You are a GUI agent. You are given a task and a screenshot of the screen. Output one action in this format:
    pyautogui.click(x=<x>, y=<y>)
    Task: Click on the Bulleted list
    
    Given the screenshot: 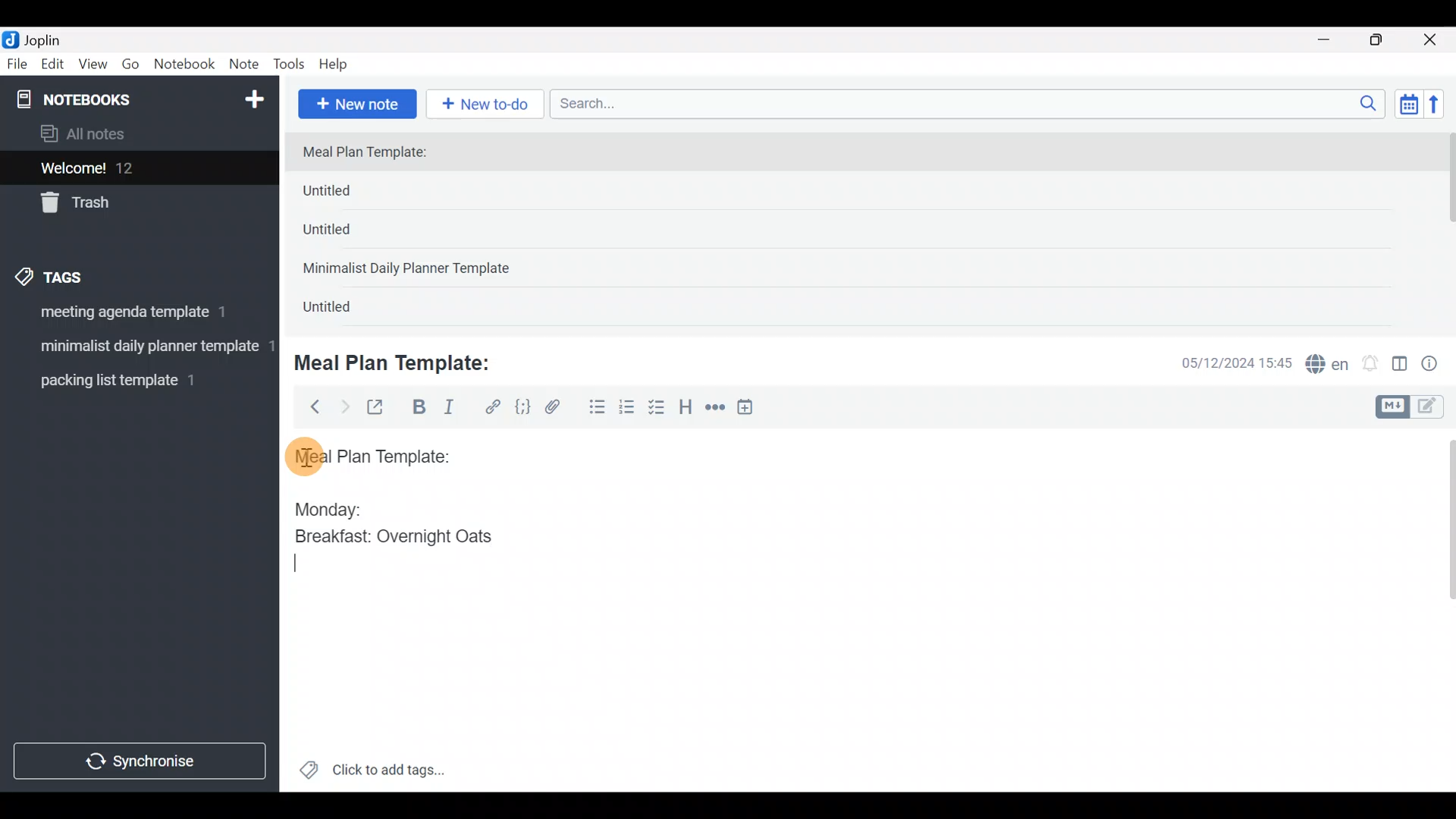 What is the action you would take?
    pyautogui.click(x=594, y=408)
    